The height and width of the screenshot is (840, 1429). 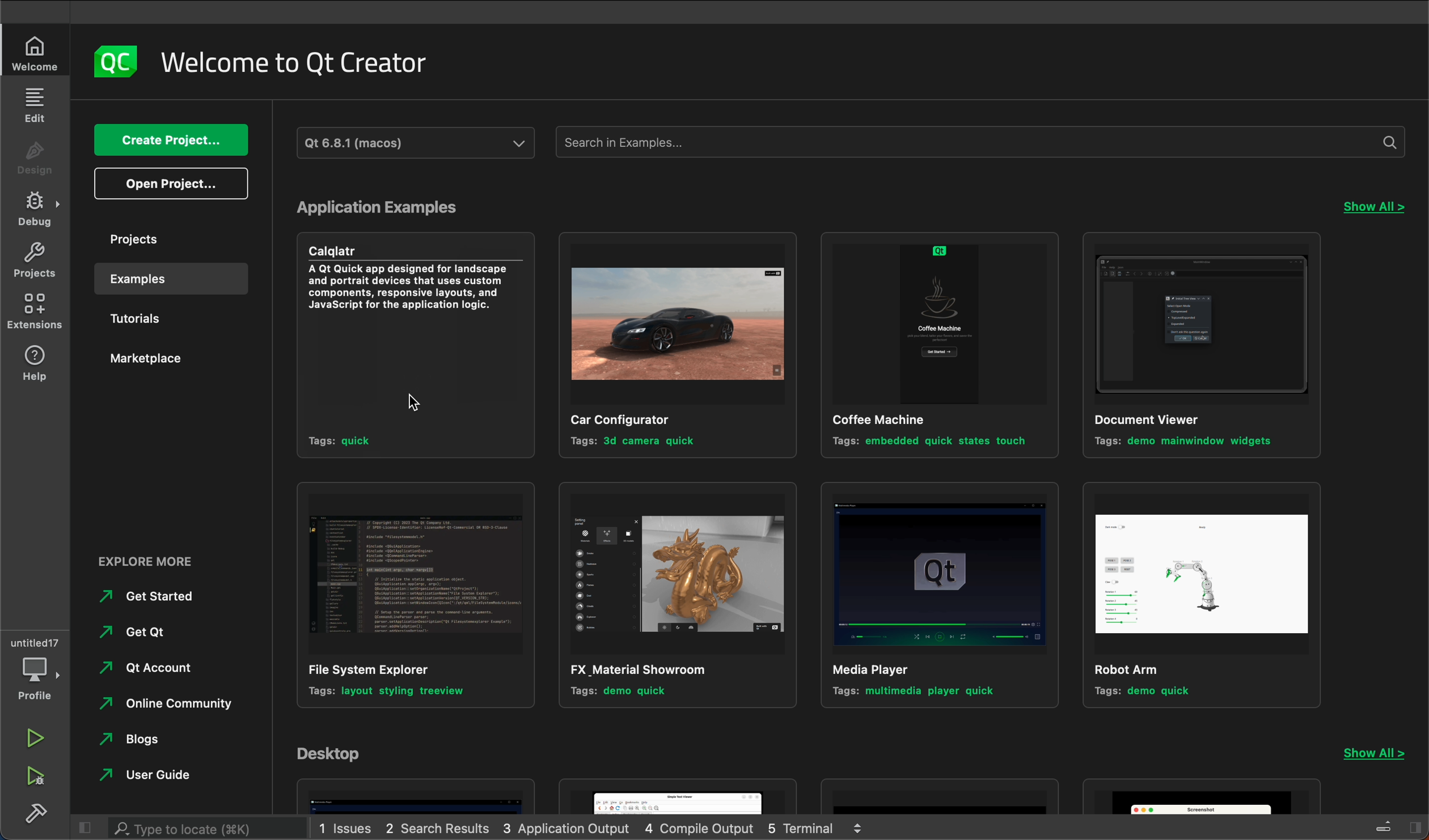 I want to click on calqlatr, so click(x=409, y=350).